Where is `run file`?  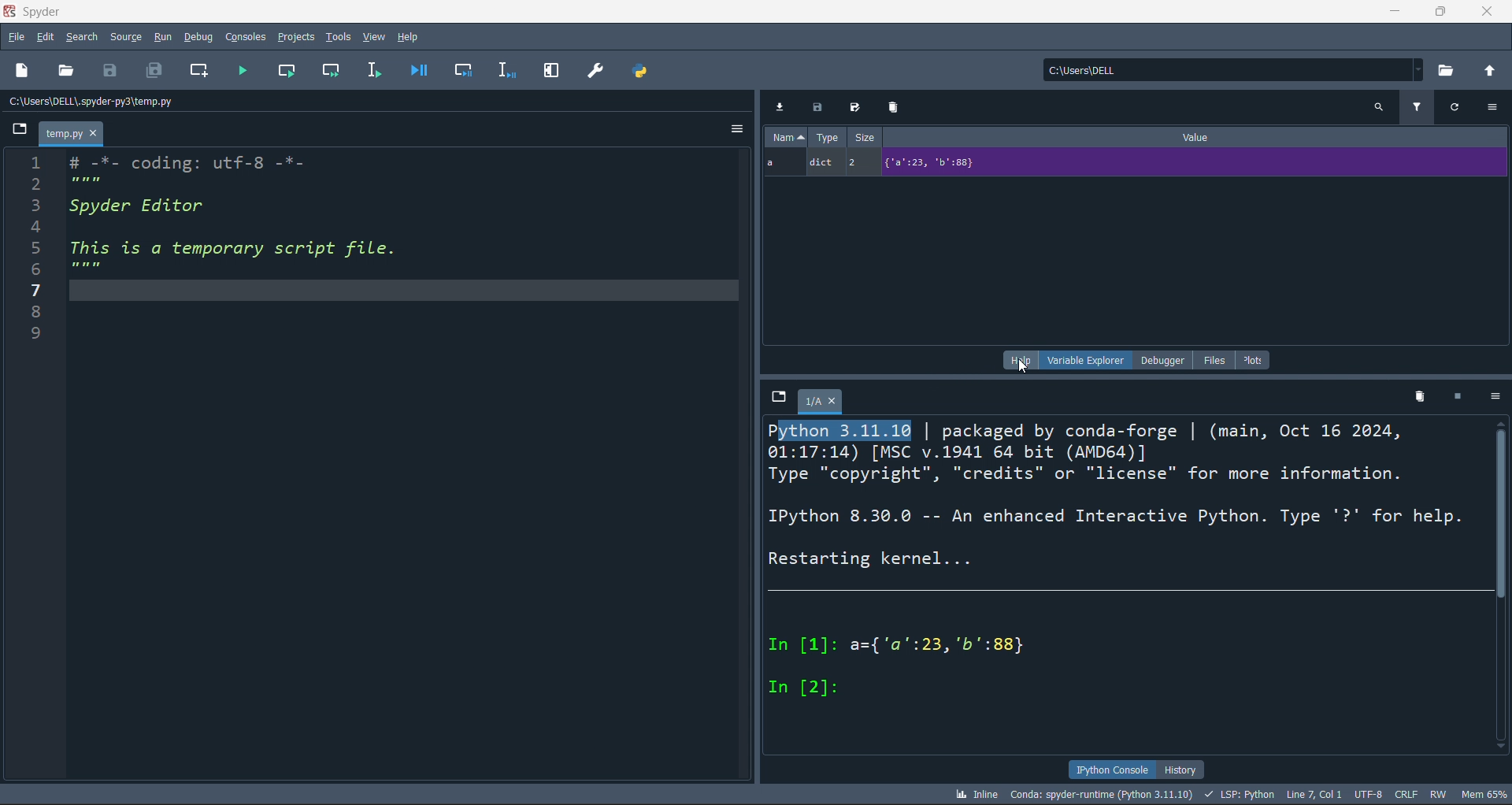 run file is located at coordinates (246, 72).